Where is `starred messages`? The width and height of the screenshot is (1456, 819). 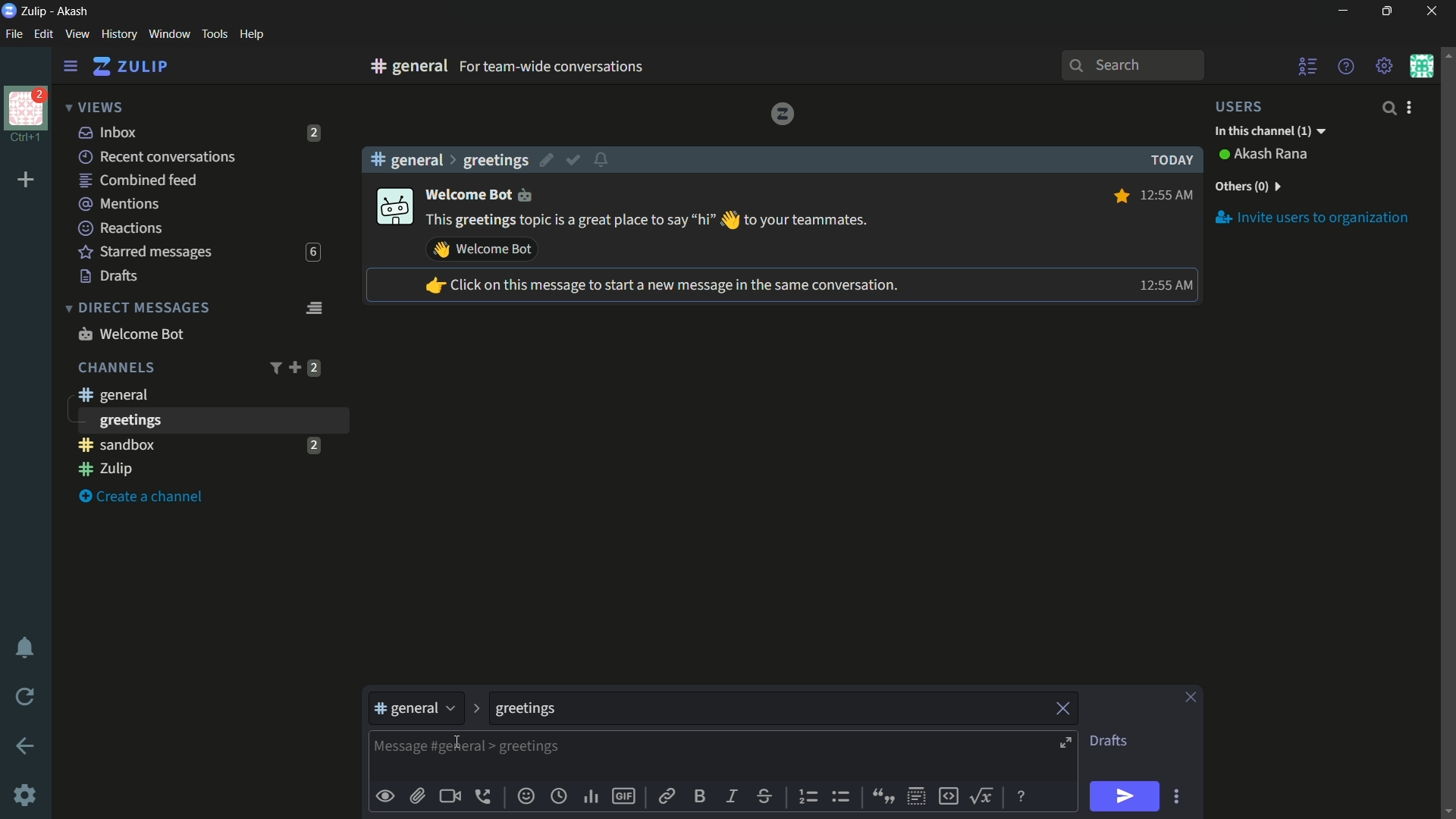
starred messages is located at coordinates (146, 253).